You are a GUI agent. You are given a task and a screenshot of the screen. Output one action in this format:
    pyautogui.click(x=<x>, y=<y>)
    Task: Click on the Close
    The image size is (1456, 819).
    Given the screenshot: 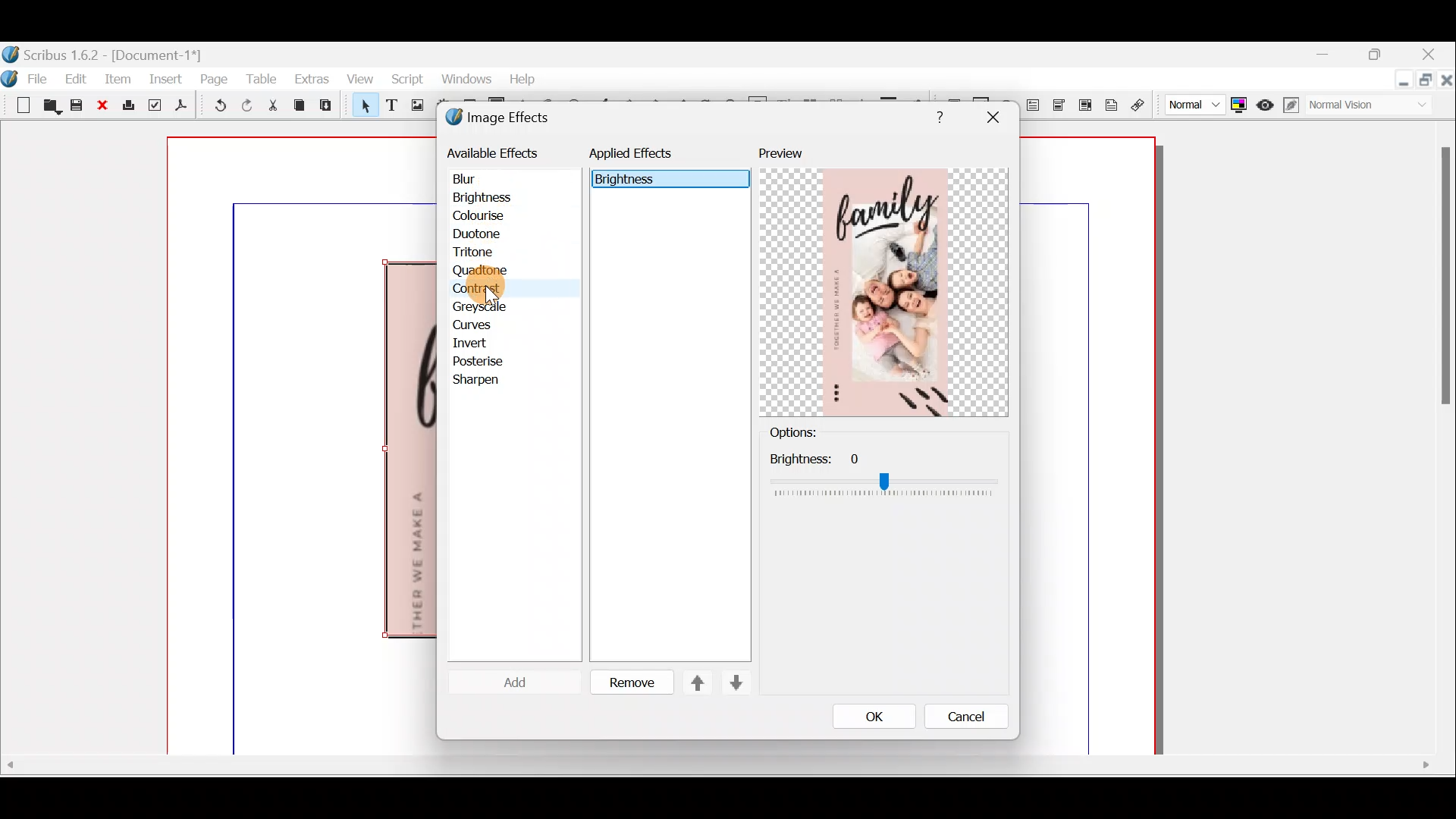 What is the action you would take?
    pyautogui.click(x=1430, y=56)
    